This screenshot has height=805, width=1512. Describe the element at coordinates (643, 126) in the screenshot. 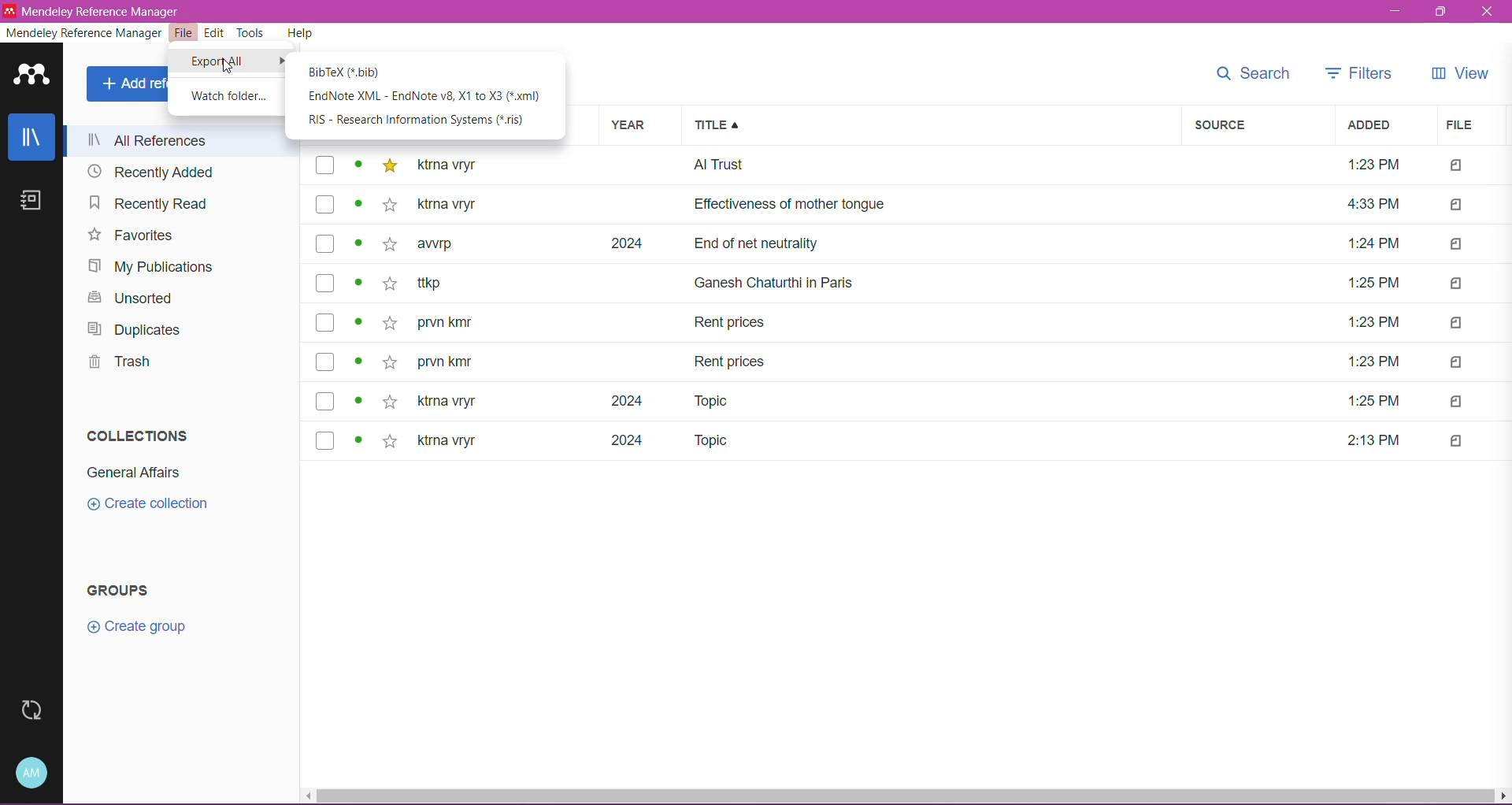

I see `Year` at that location.